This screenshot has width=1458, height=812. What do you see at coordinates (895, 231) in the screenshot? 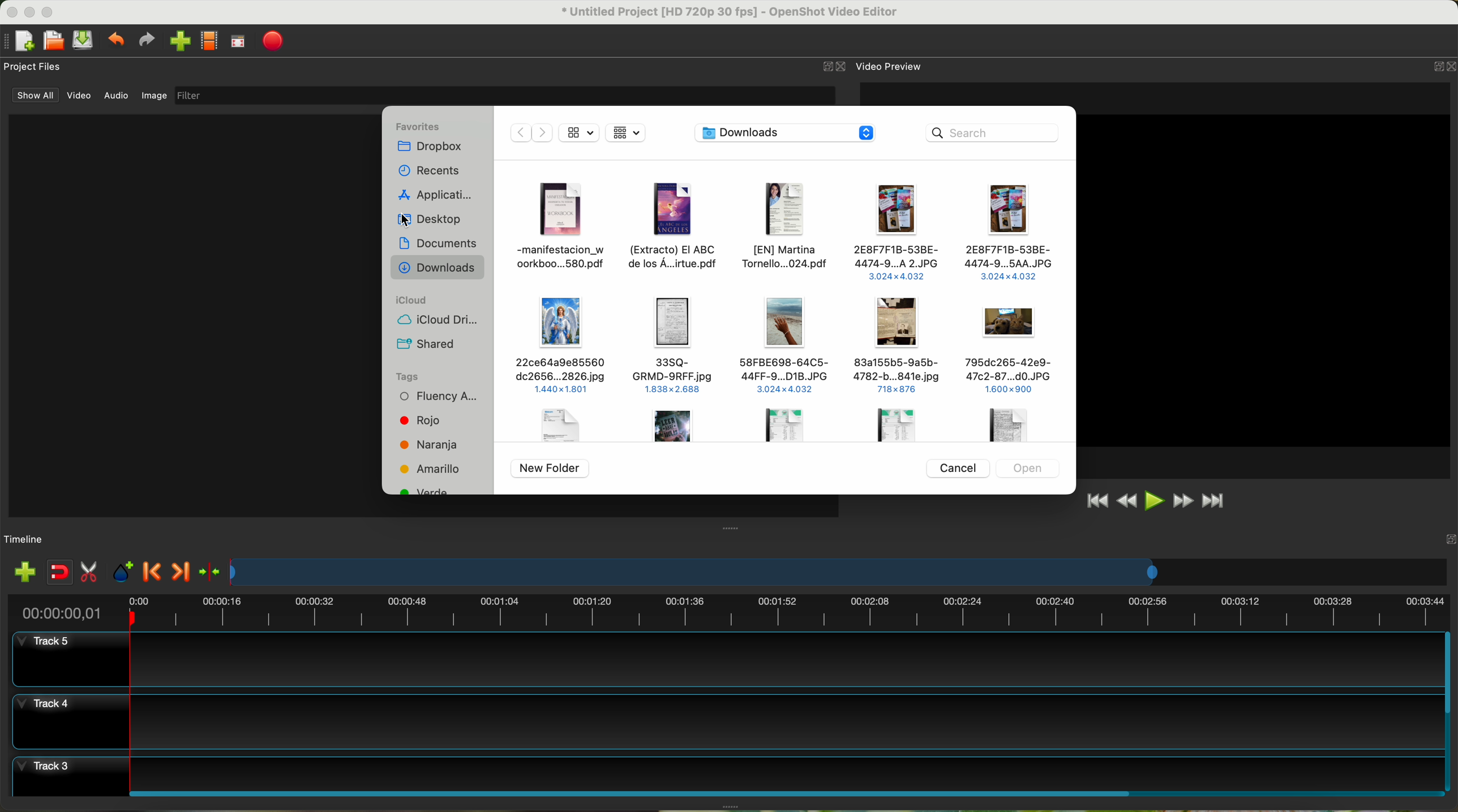
I see `file` at bounding box center [895, 231].